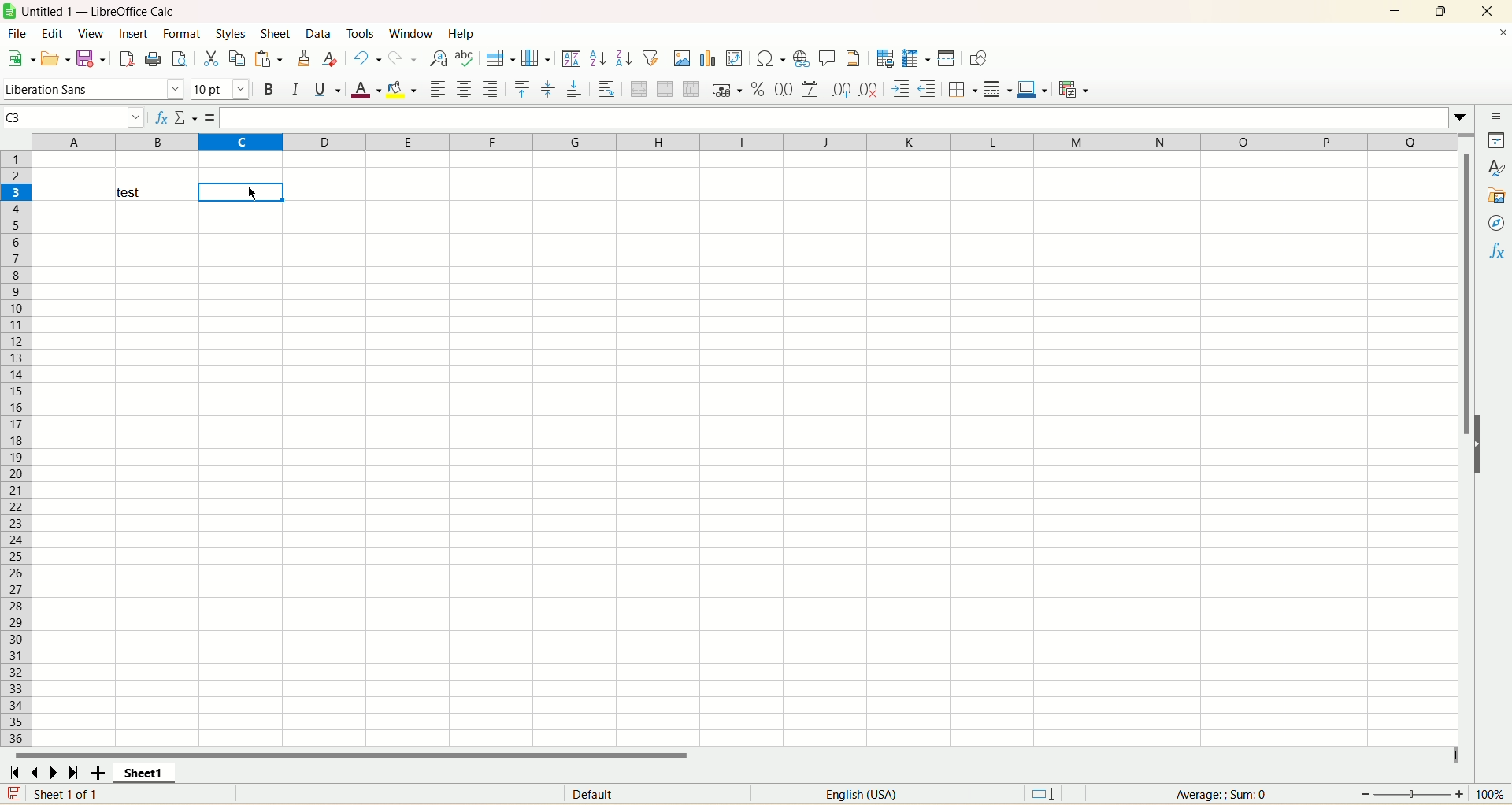 Image resolution: width=1512 pixels, height=805 pixels. What do you see at coordinates (1495, 140) in the screenshot?
I see `properties` at bounding box center [1495, 140].